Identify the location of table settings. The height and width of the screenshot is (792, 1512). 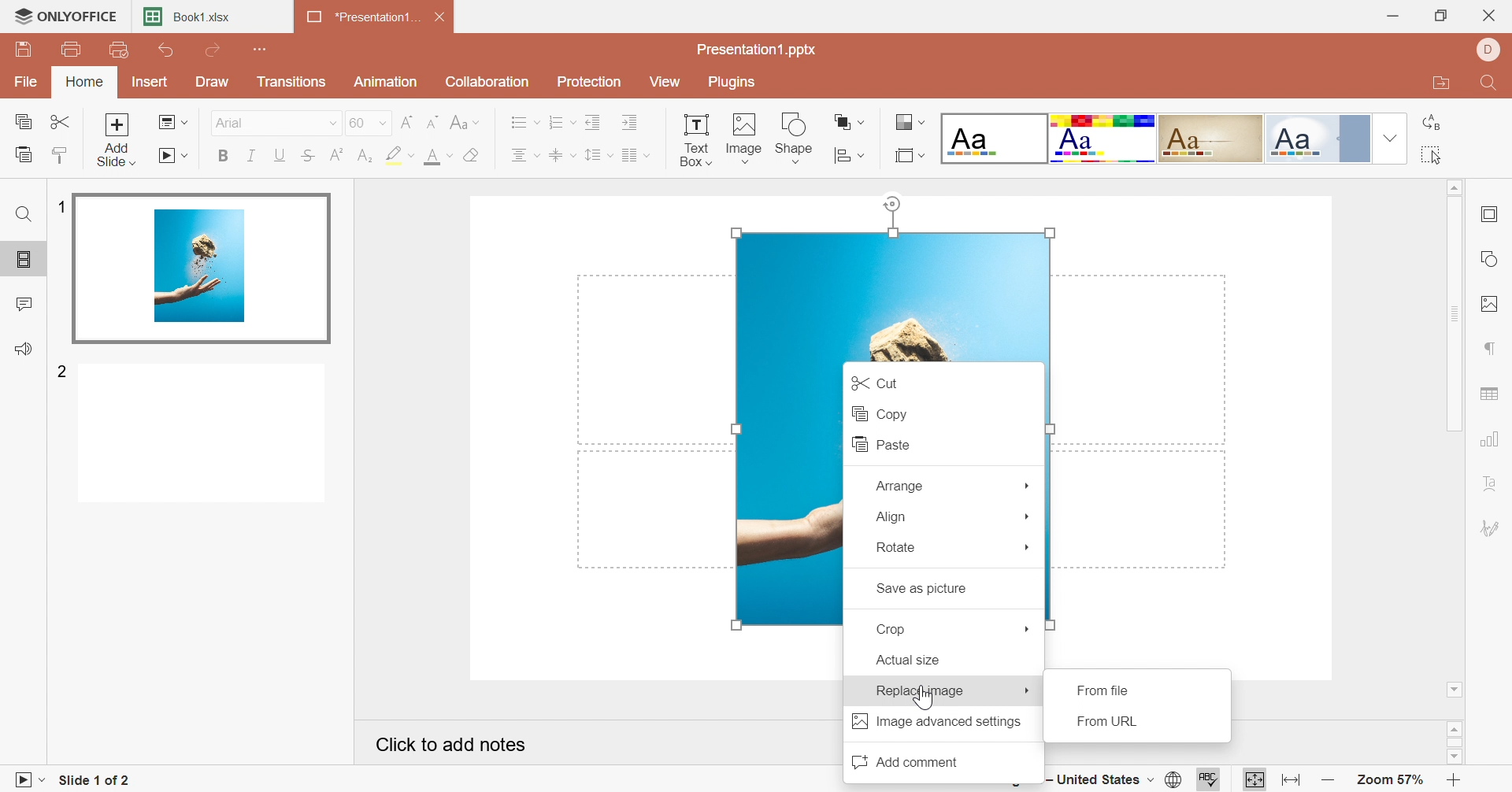
(1492, 394).